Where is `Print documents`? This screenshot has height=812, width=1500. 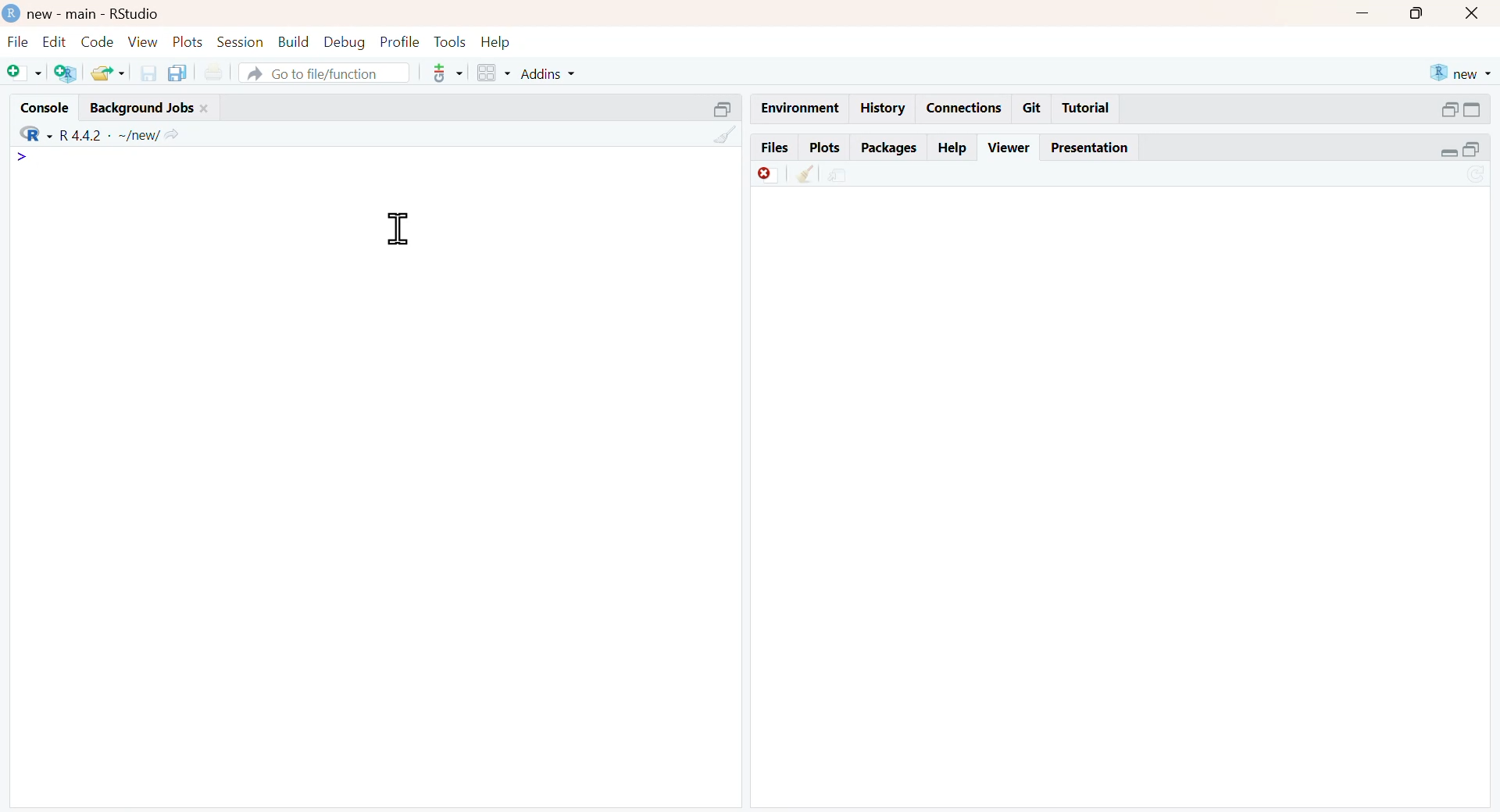
Print documents is located at coordinates (217, 69).